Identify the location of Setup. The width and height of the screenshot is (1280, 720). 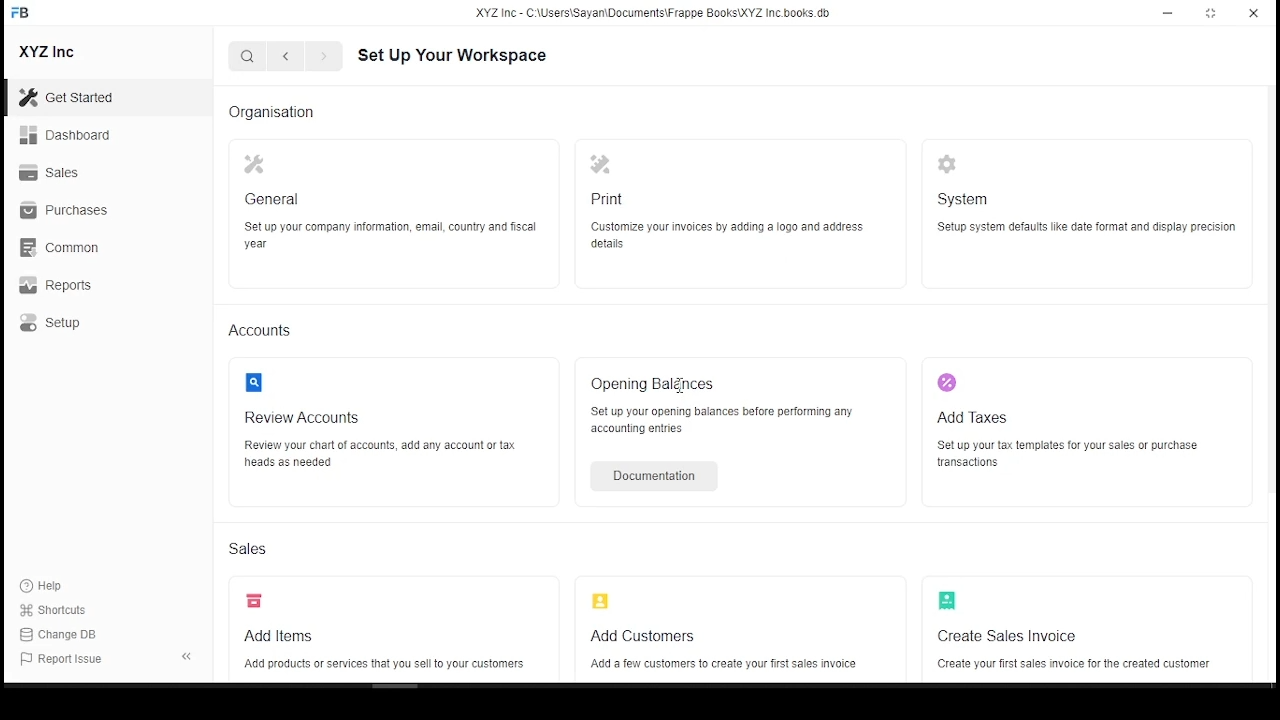
(50, 323).